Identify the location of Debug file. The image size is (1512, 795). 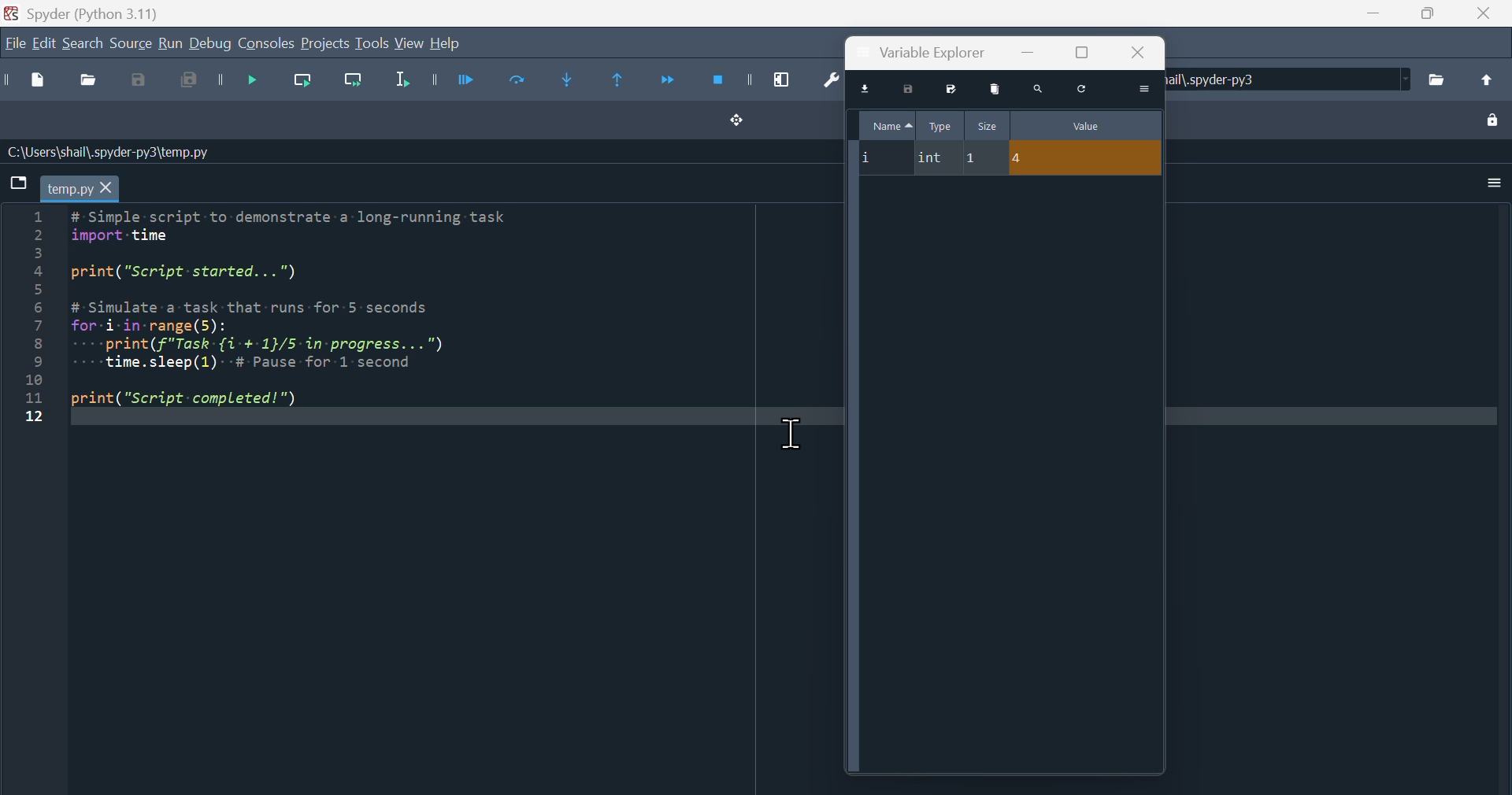
(241, 83).